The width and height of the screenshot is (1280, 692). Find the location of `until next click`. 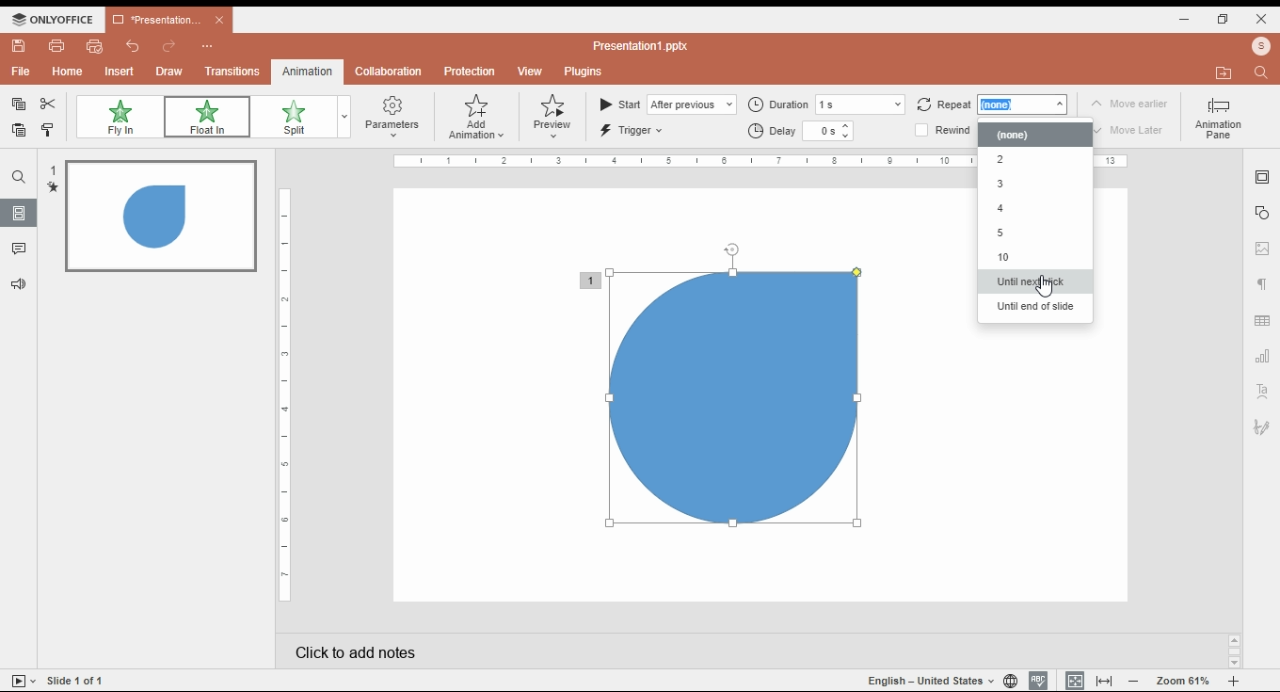

until next click is located at coordinates (1028, 283).